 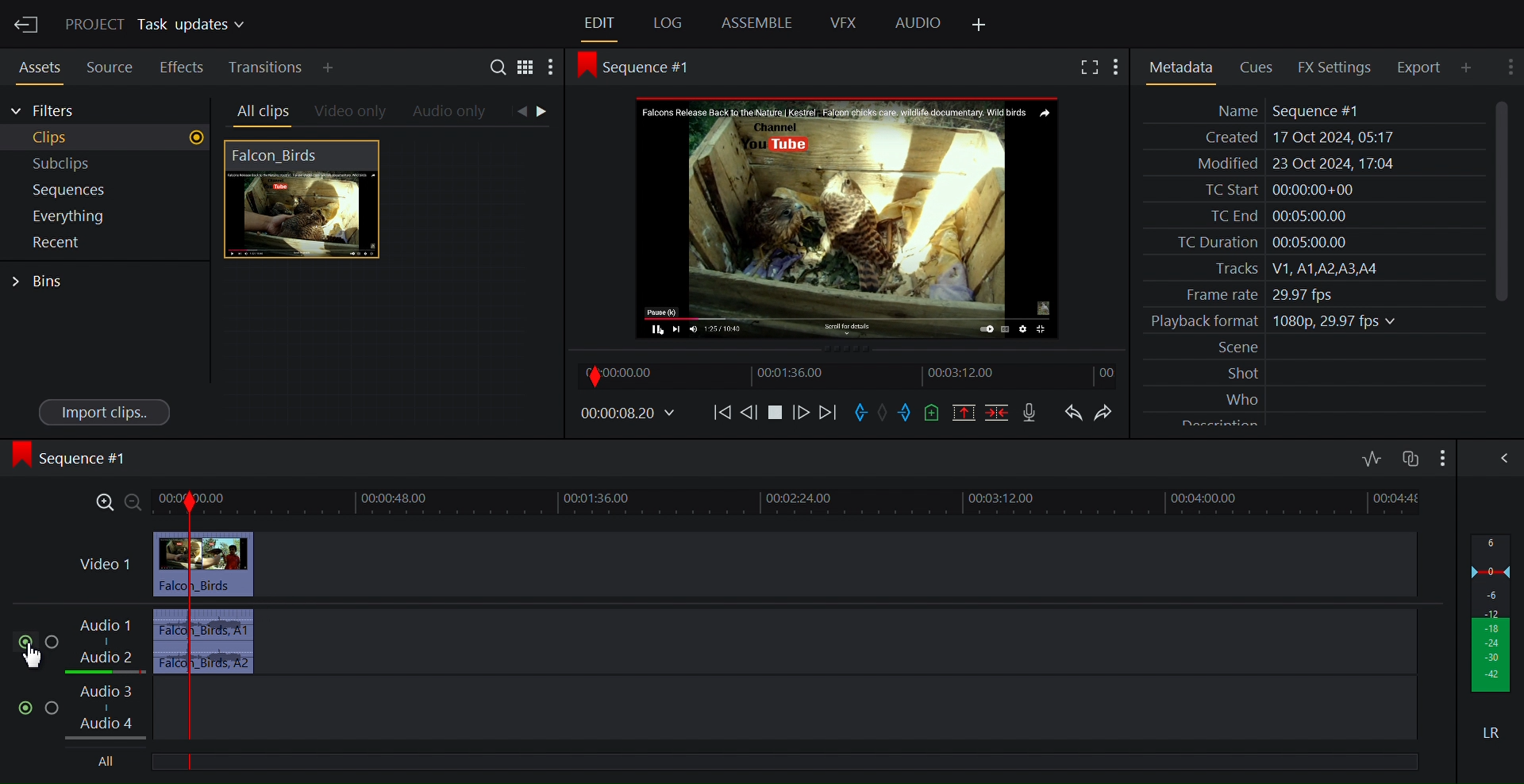 I want to click on Exit the current project, so click(x=25, y=24).